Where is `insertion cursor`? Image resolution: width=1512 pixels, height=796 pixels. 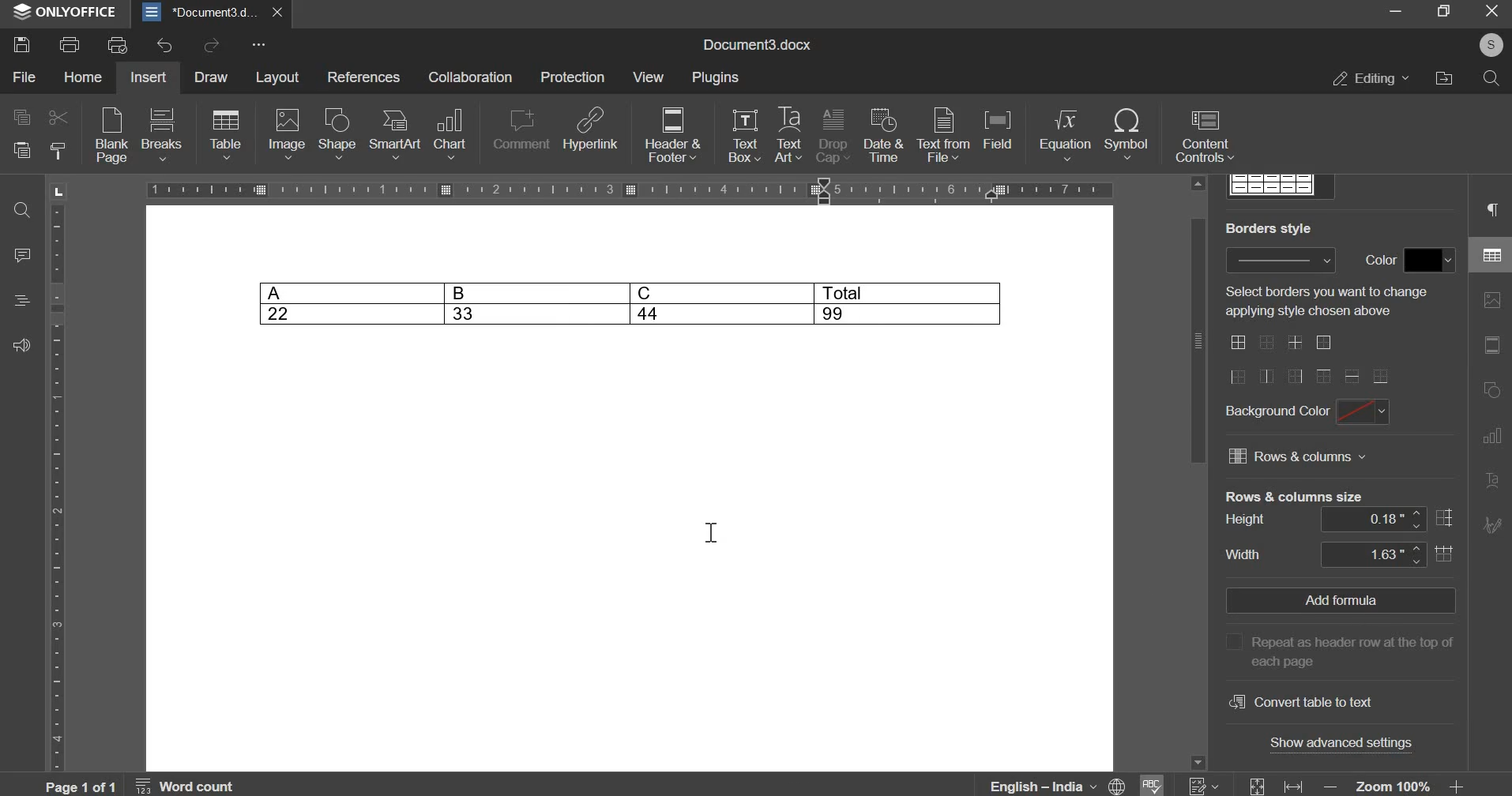 insertion cursor is located at coordinates (711, 534).